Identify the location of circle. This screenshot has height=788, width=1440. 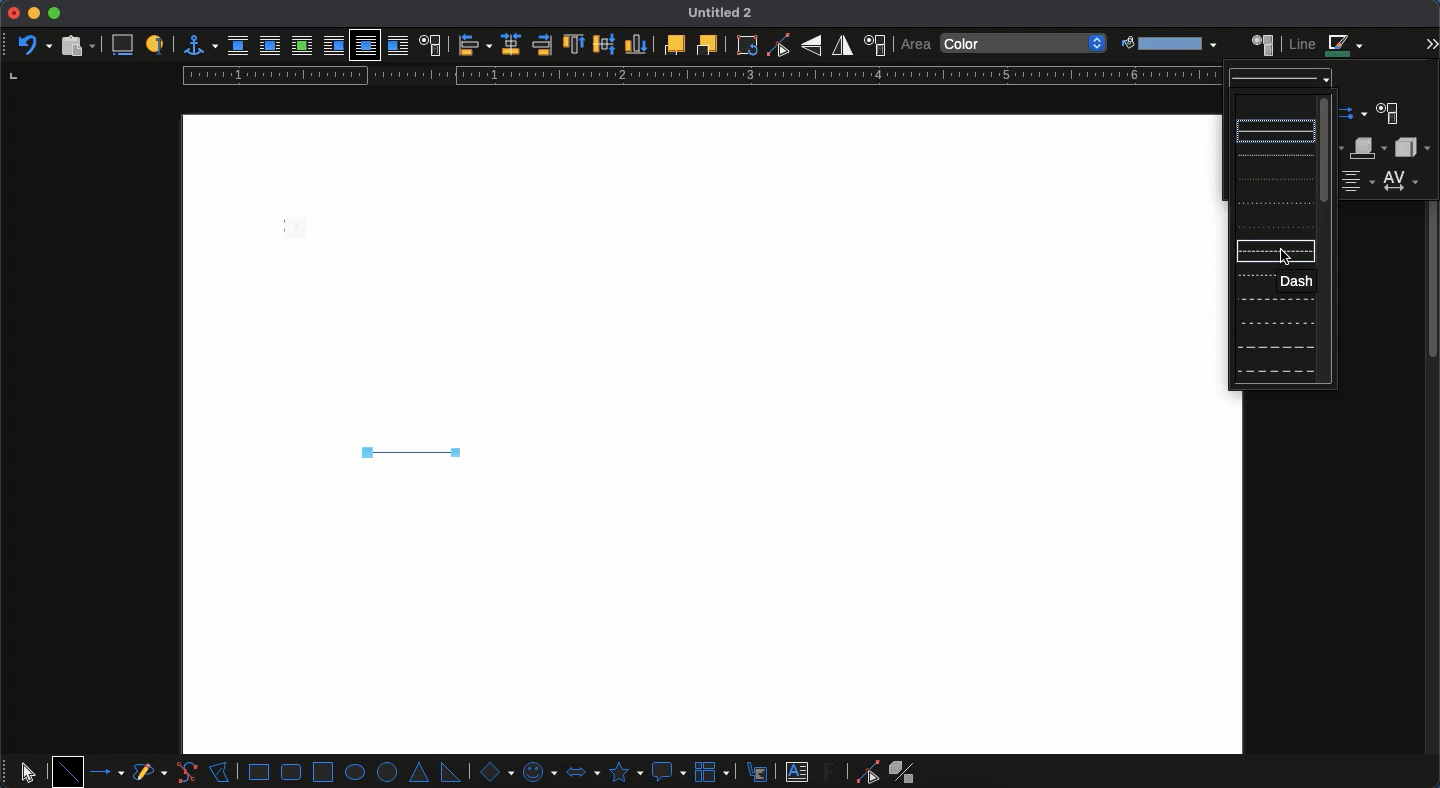
(389, 773).